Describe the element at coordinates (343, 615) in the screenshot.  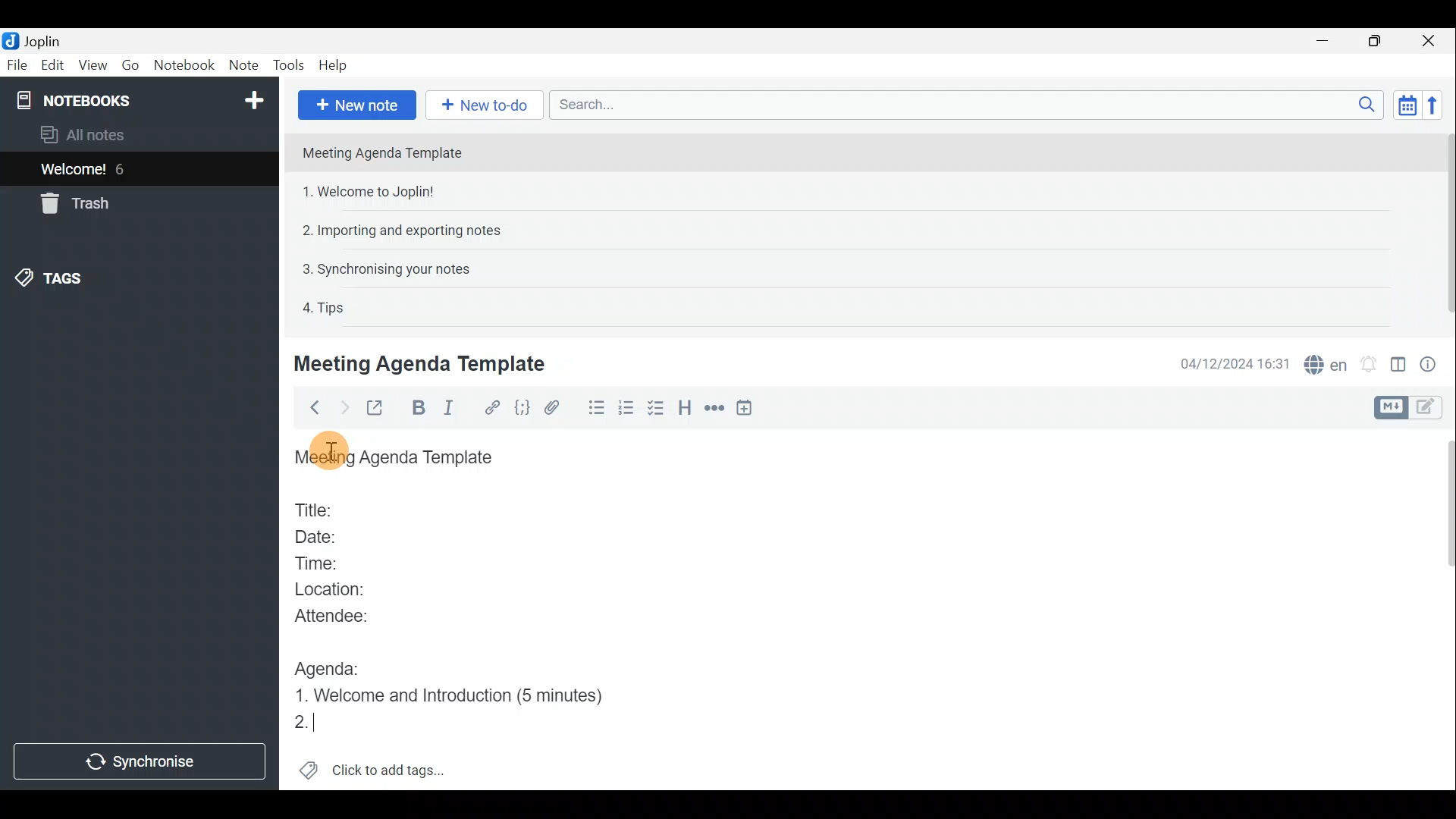
I see `Attendee:` at that location.